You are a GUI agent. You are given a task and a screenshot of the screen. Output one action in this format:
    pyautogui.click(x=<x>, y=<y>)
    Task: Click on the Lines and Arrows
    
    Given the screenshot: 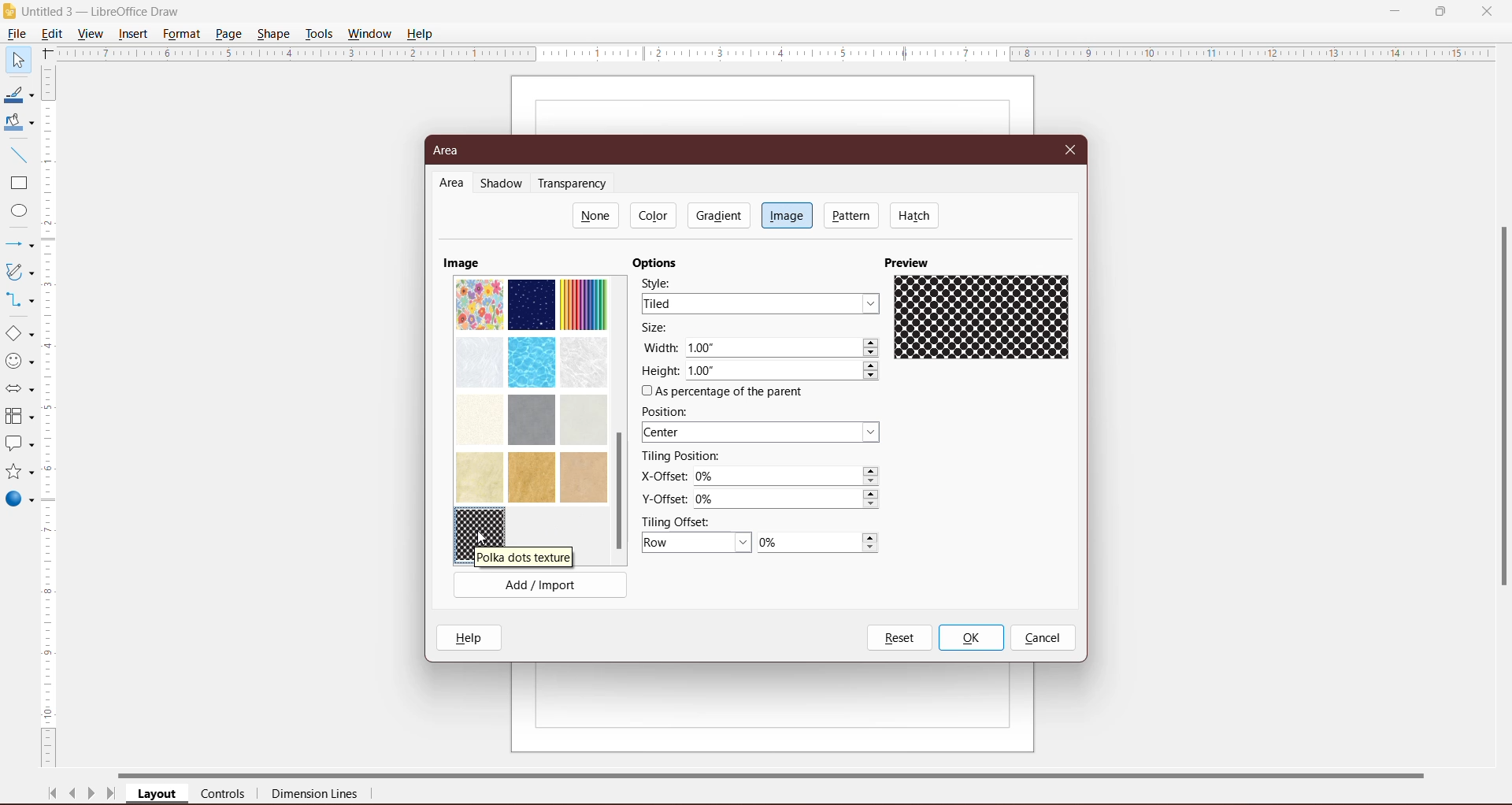 What is the action you would take?
    pyautogui.click(x=18, y=246)
    